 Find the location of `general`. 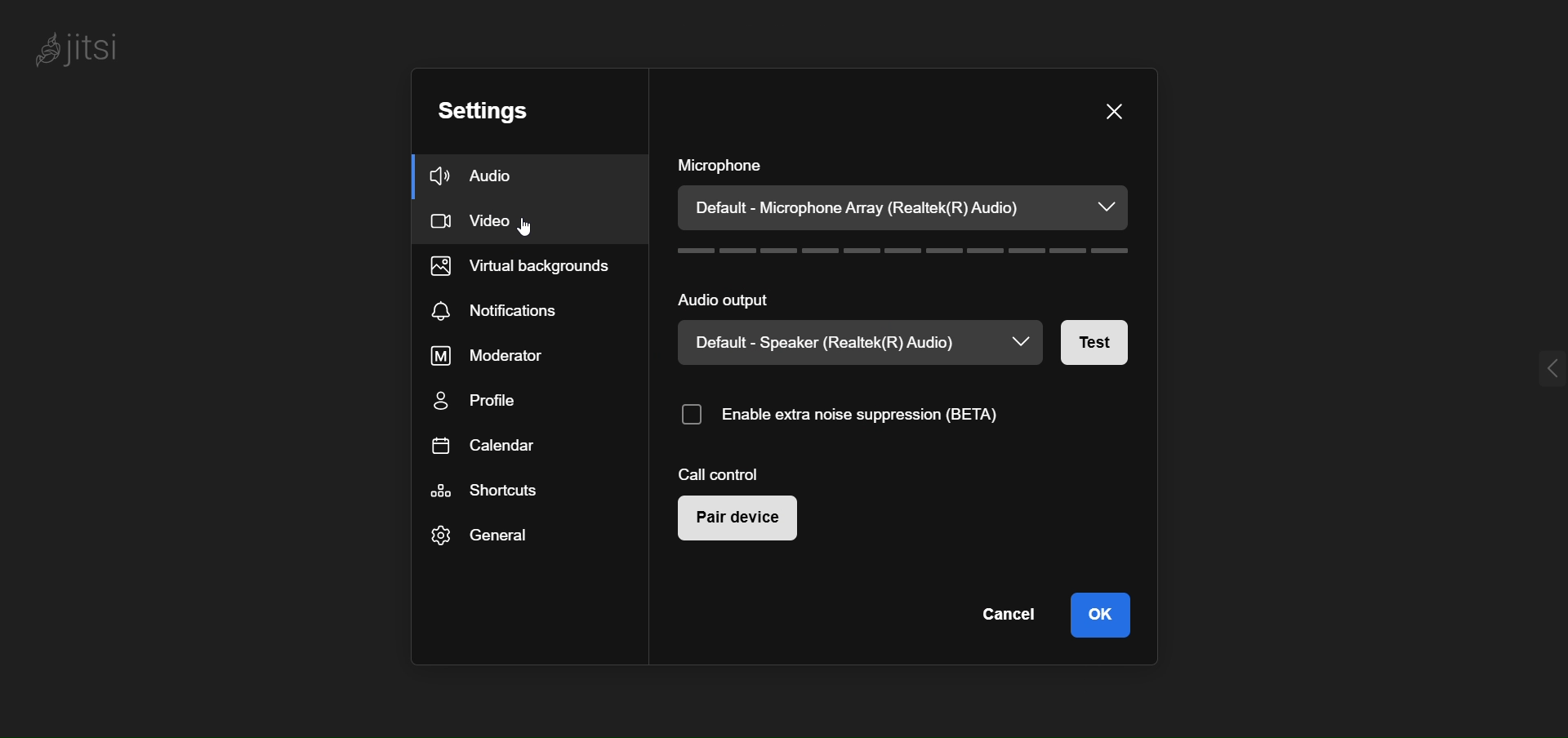

general is located at coordinates (481, 537).